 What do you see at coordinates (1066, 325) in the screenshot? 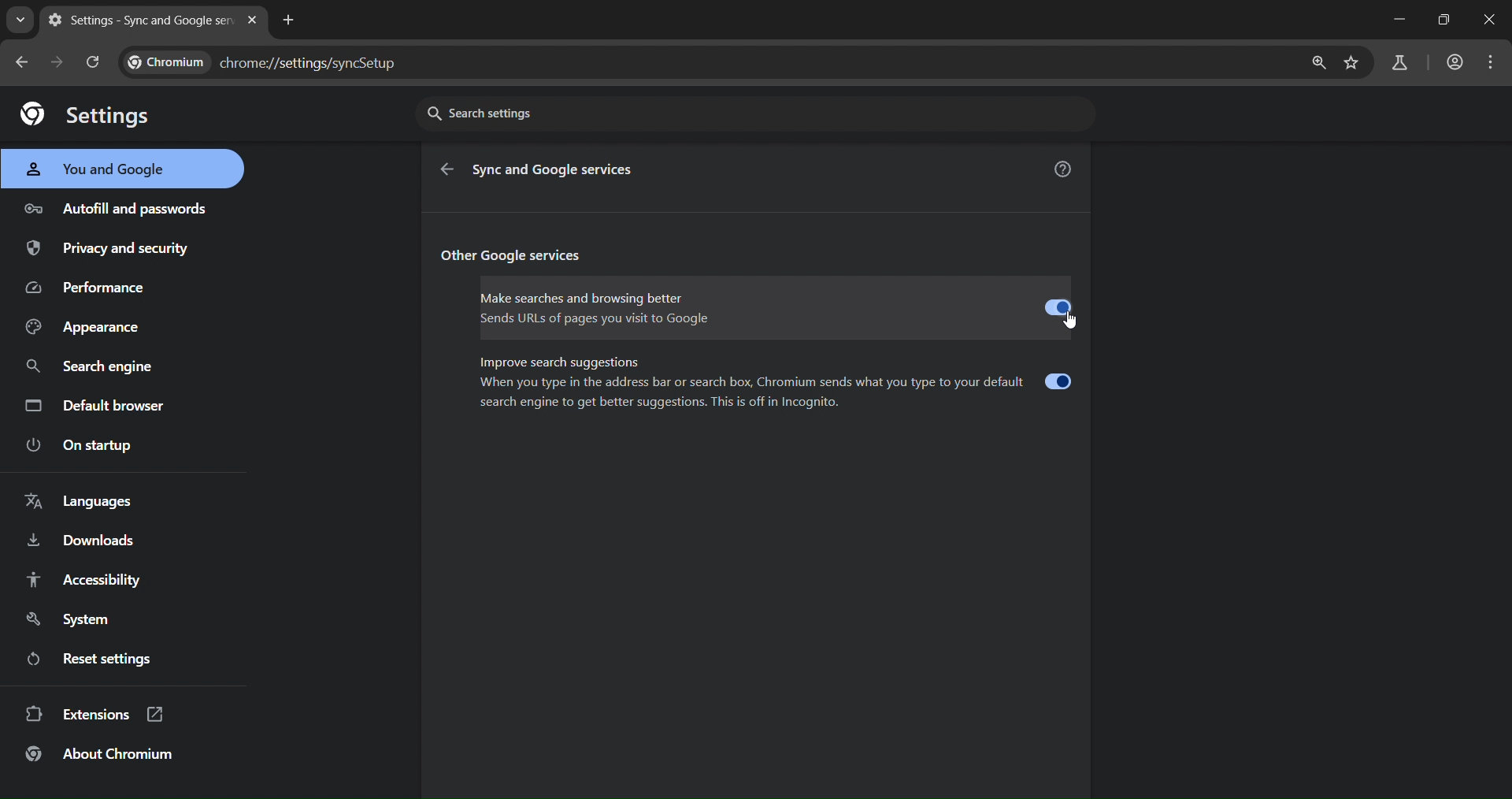
I see `cursor` at bounding box center [1066, 325].